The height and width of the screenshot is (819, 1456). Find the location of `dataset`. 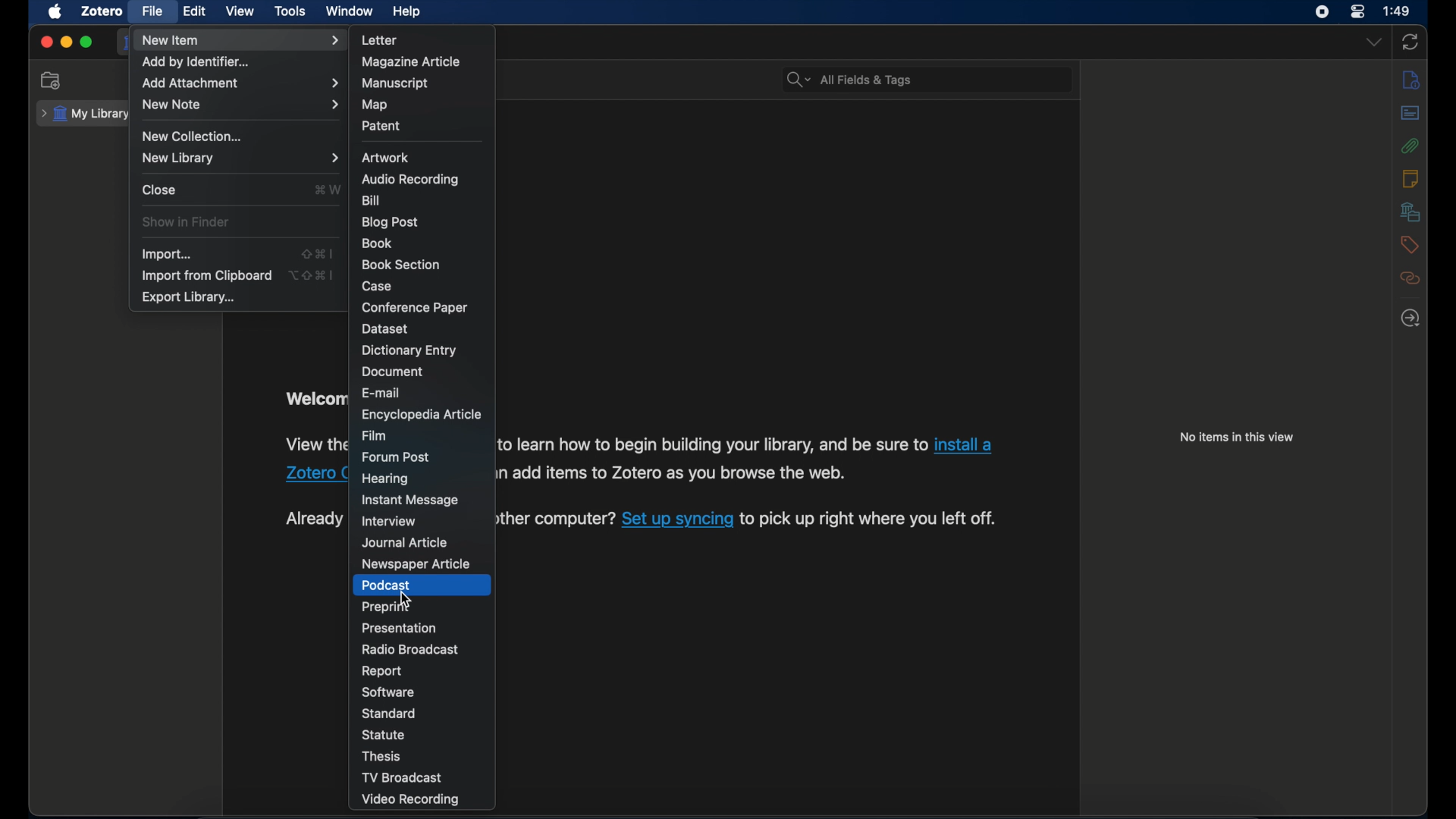

dataset is located at coordinates (386, 329).